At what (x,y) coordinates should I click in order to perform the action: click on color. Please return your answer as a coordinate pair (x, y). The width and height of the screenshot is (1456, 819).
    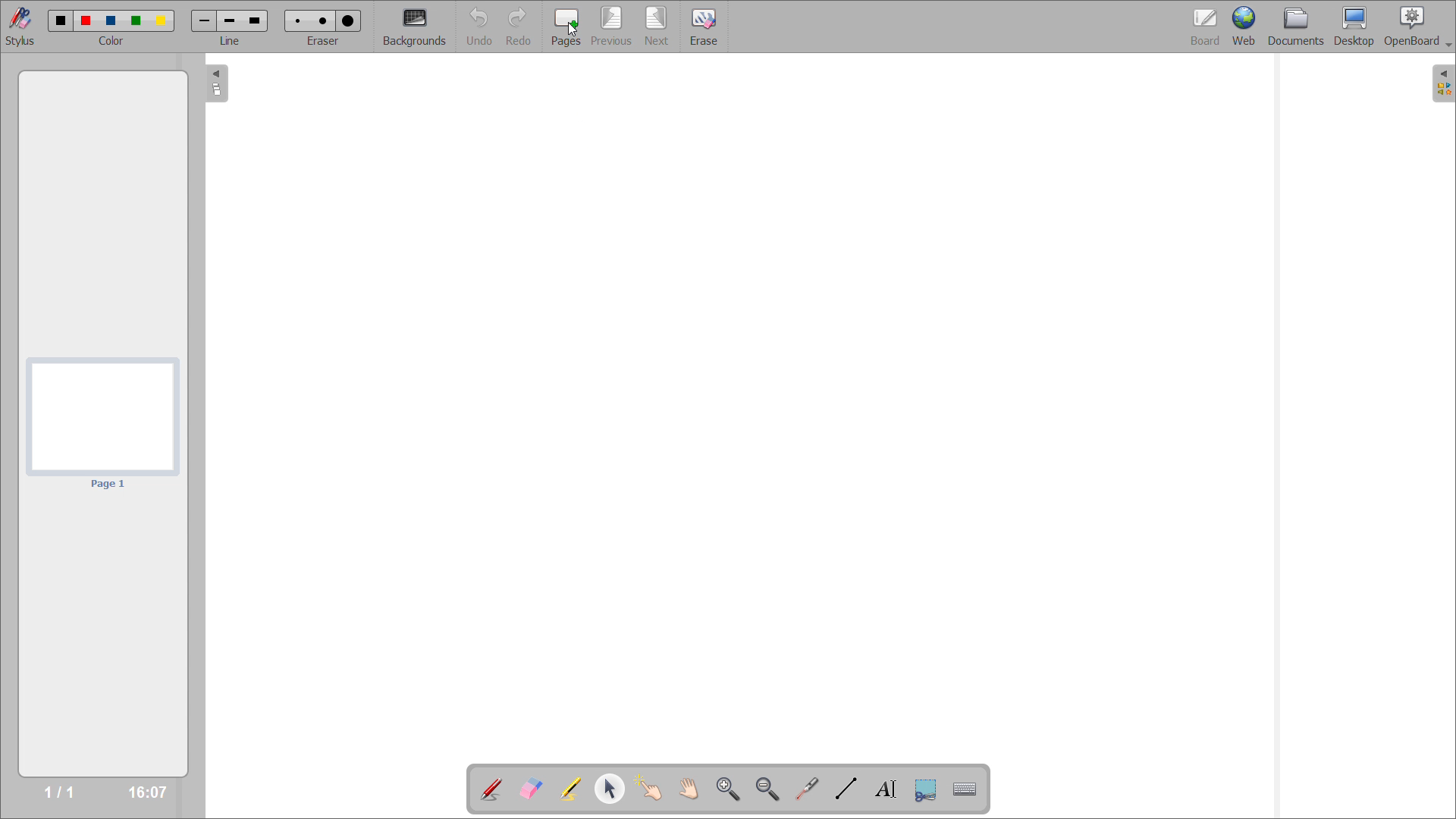
    Looking at the image, I should click on (112, 27).